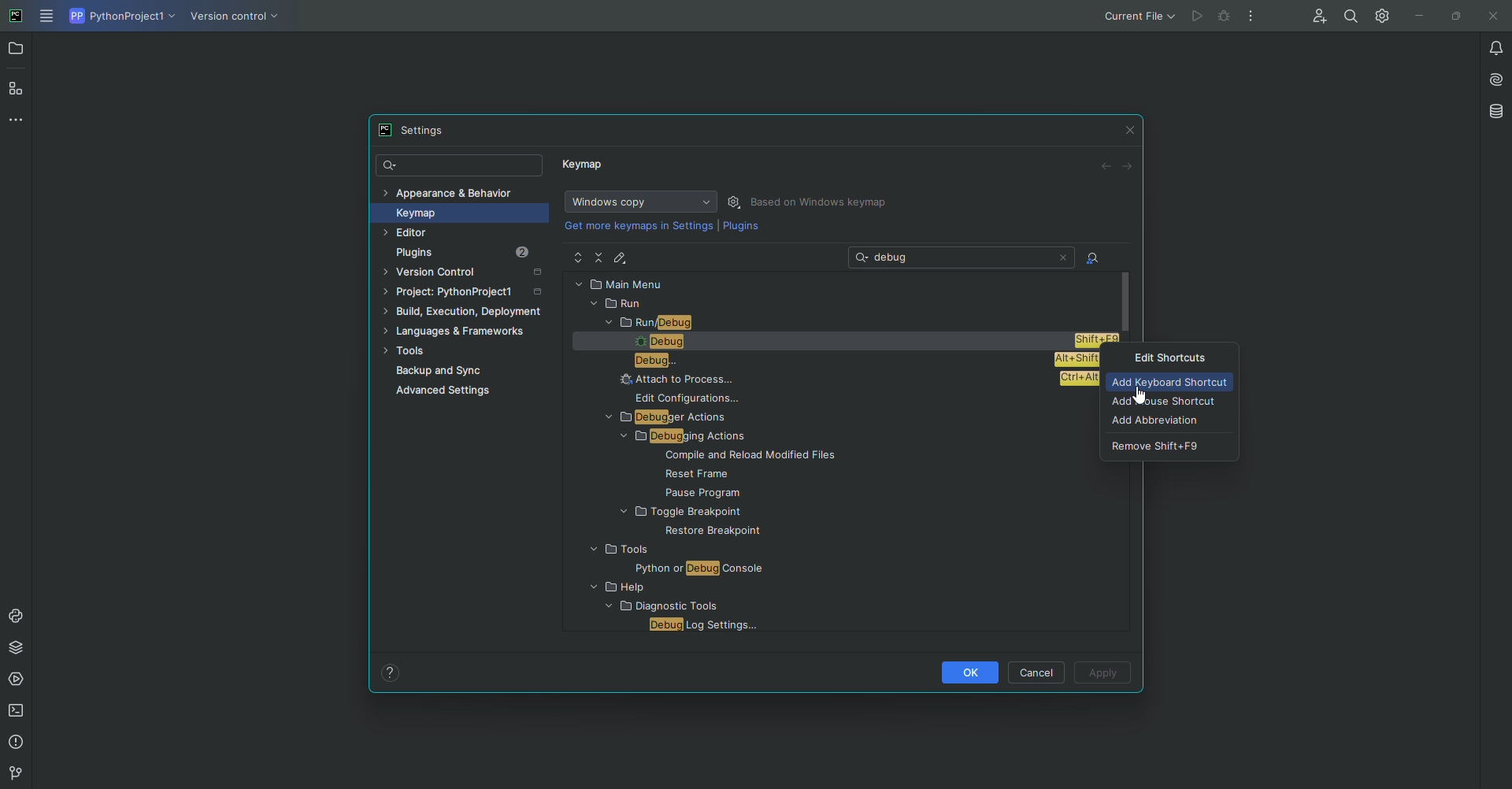  Describe the element at coordinates (1495, 111) in the screenshot. I see `Database` at that location.